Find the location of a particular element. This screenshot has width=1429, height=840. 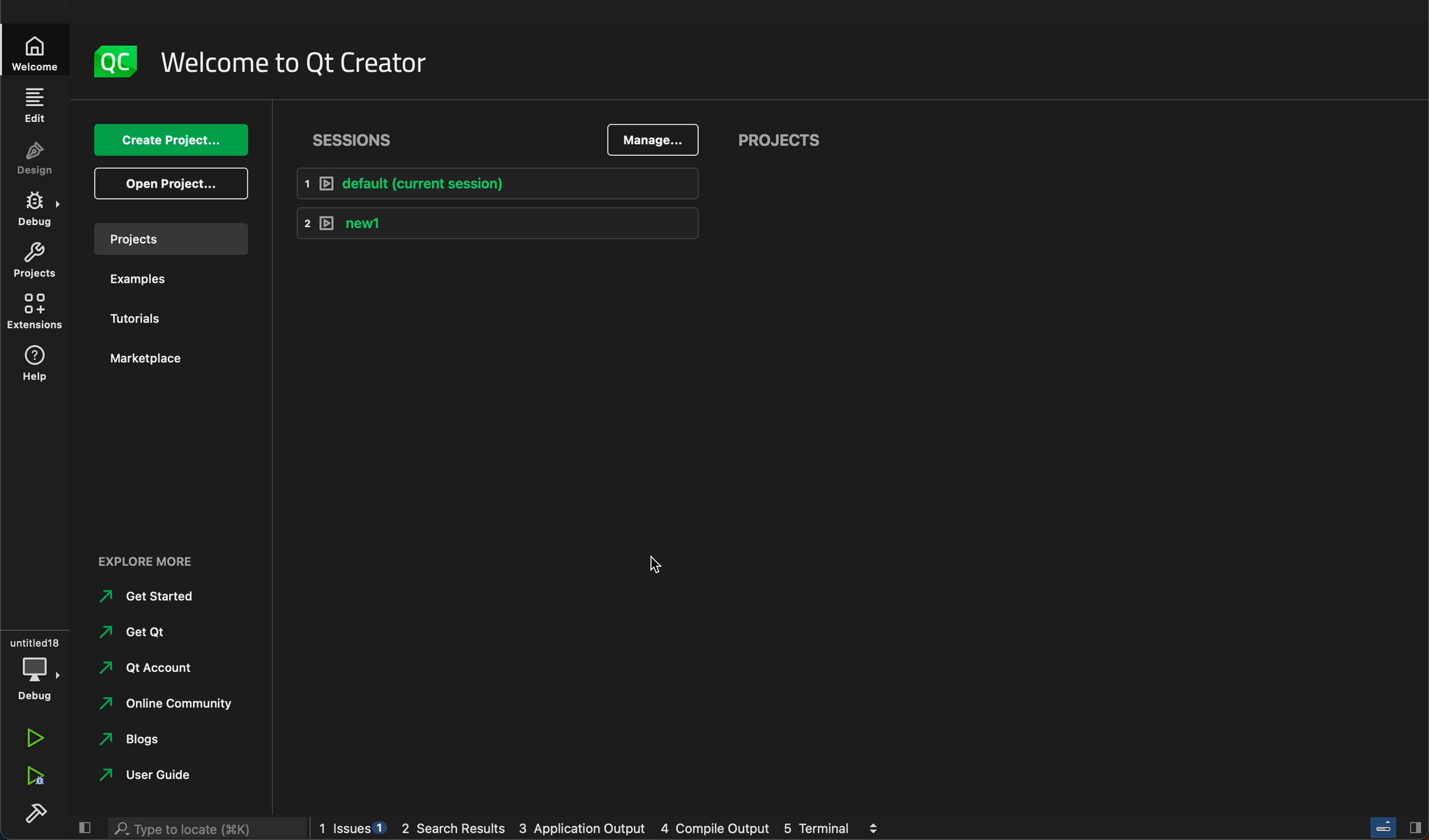

project is located at coordinates (34, 263).